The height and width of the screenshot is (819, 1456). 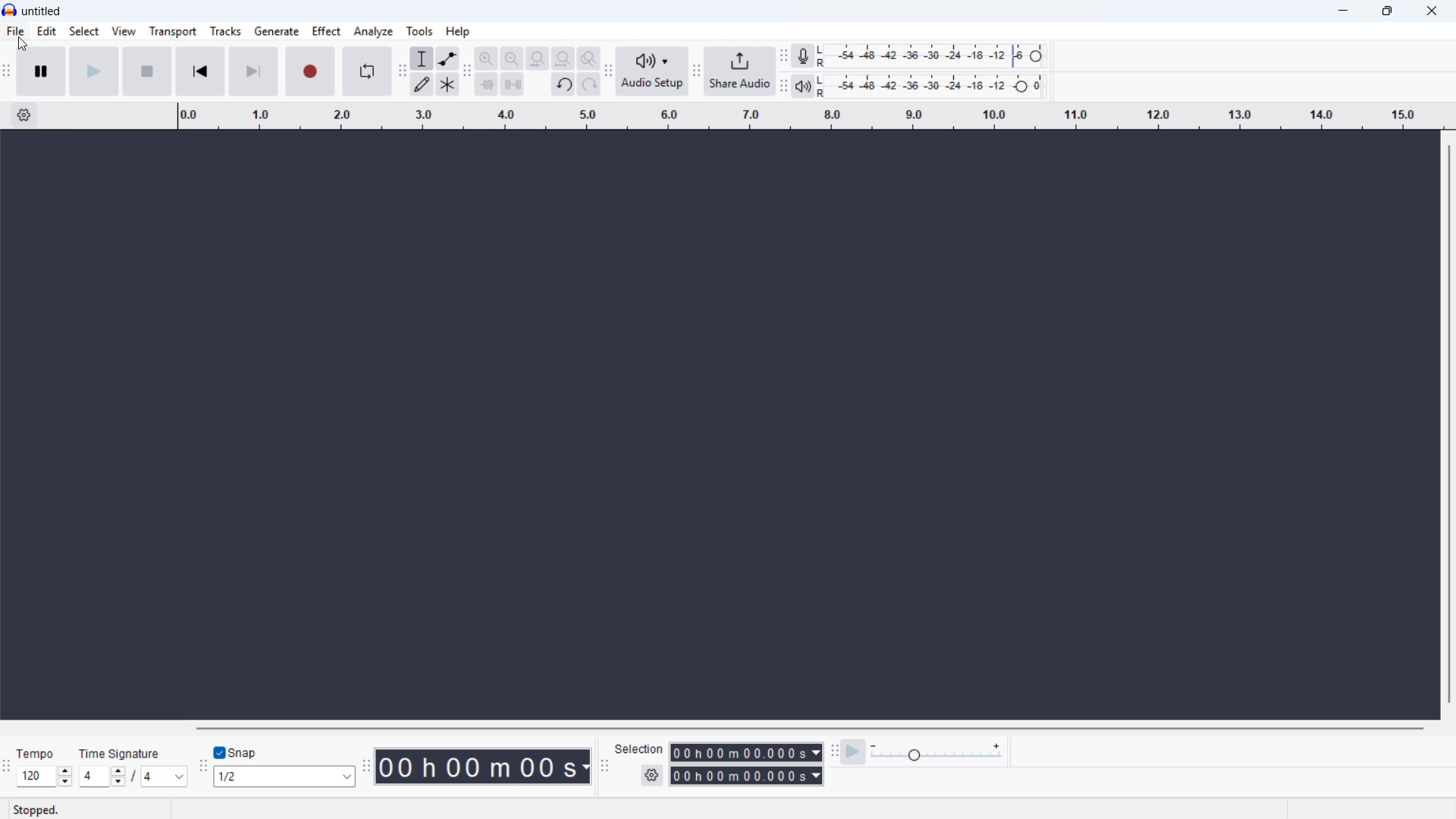 I want to click on Cursor , so click(x=24, y=43).